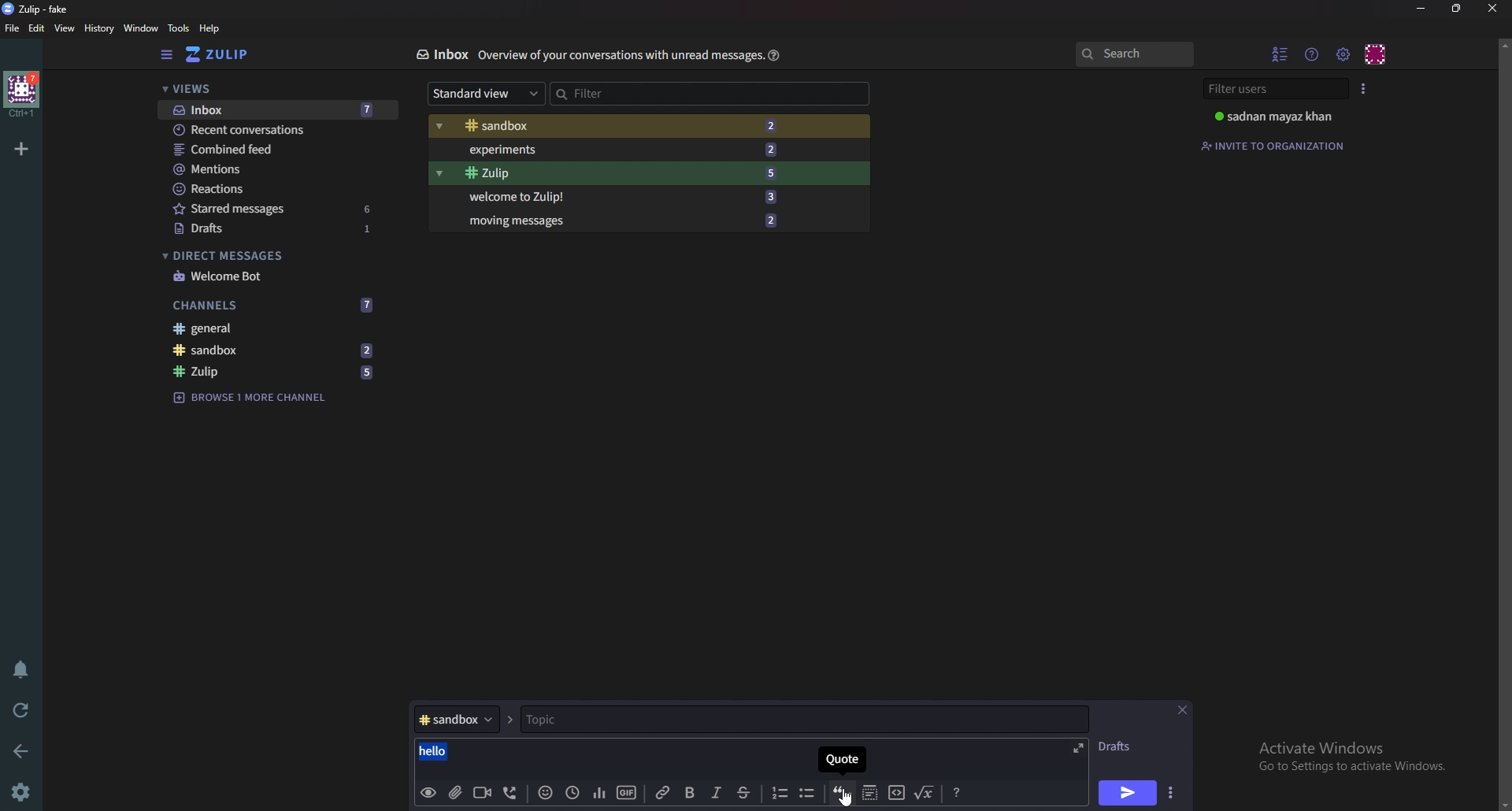  I want to click on send options, so click(1174, 793).